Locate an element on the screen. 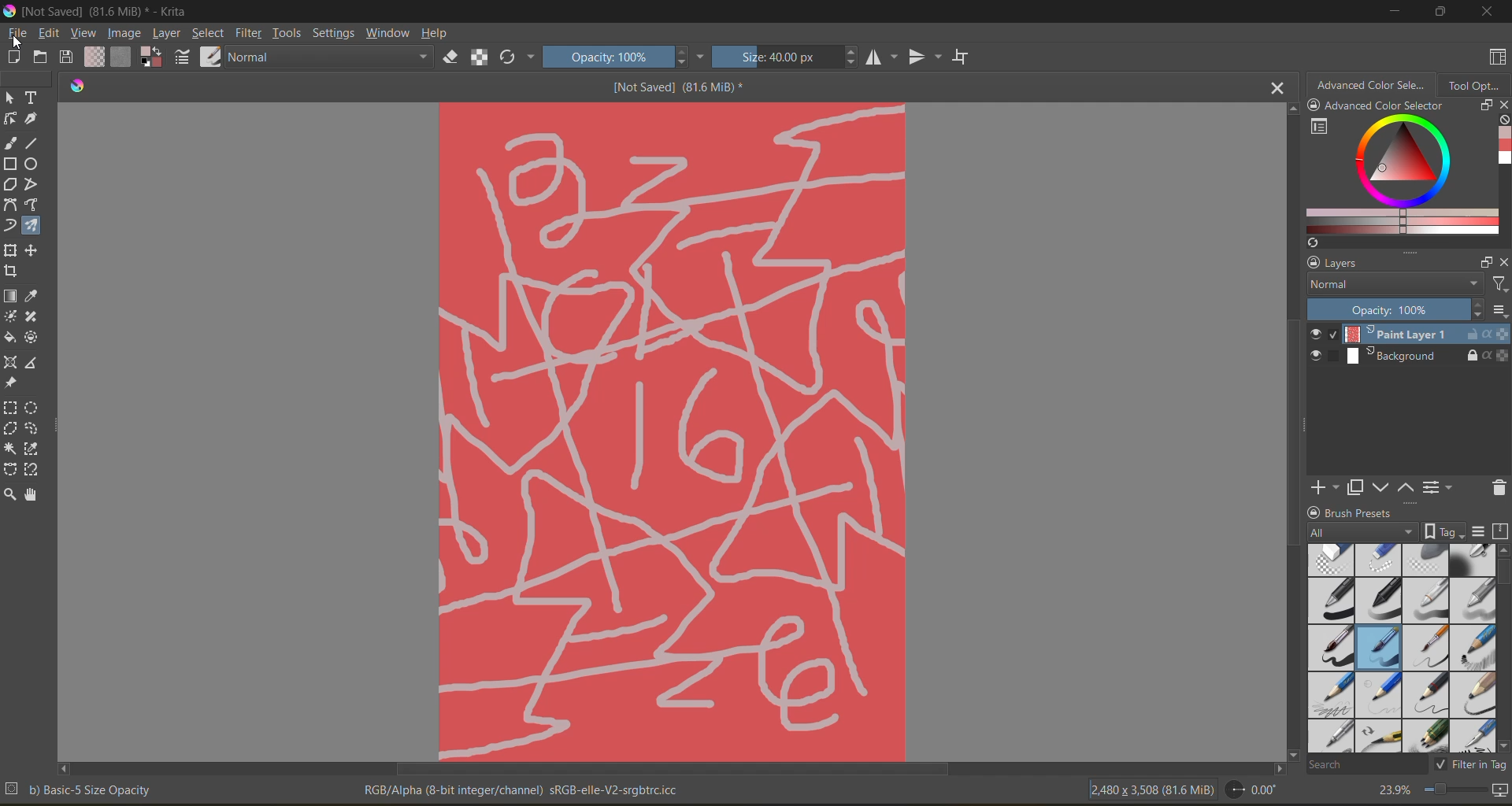  normal is located at coordinates (329, 57).